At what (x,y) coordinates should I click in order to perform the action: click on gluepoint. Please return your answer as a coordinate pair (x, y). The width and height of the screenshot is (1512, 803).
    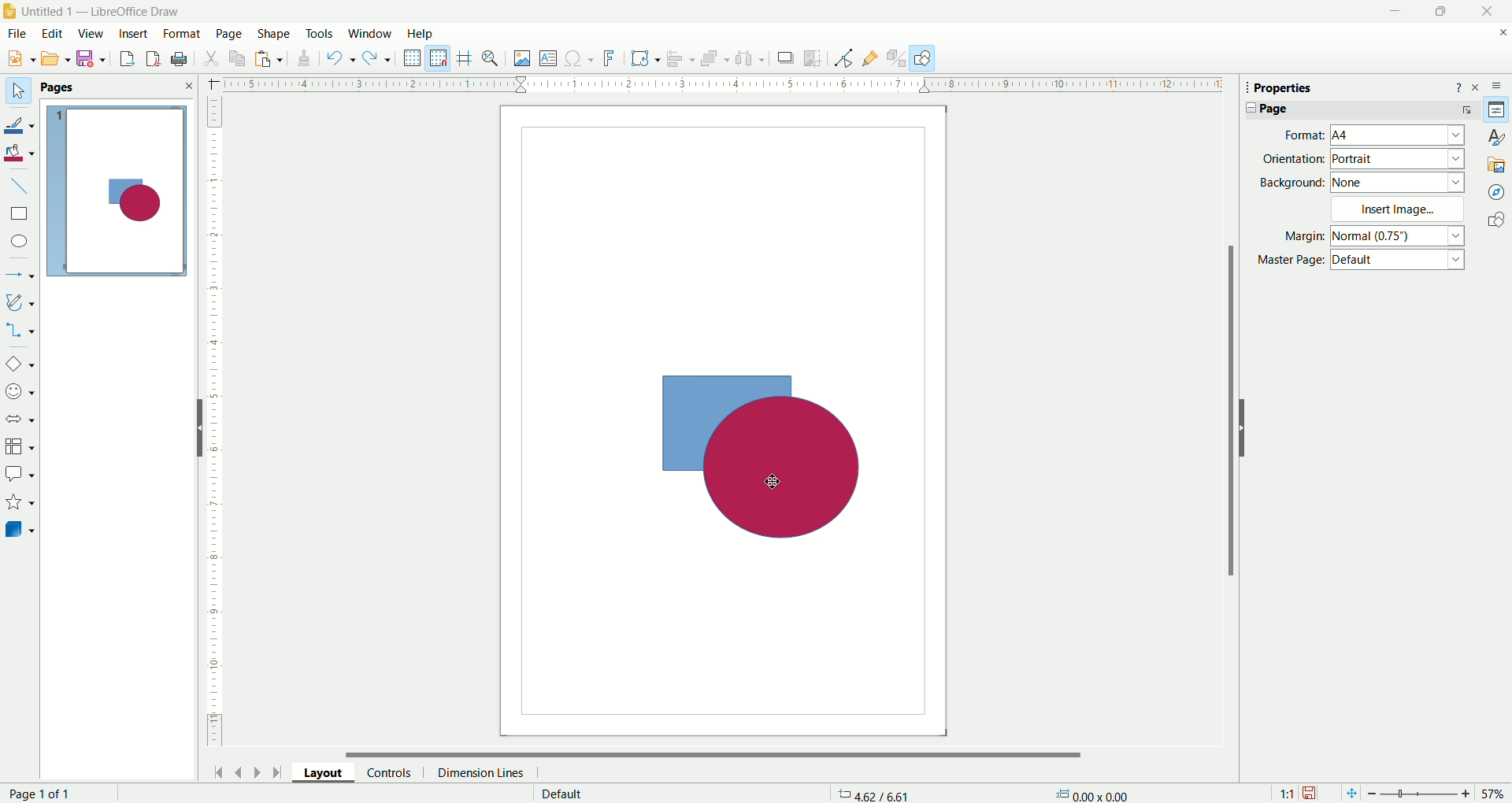
    Looking at the image, I should click on (868, 57).